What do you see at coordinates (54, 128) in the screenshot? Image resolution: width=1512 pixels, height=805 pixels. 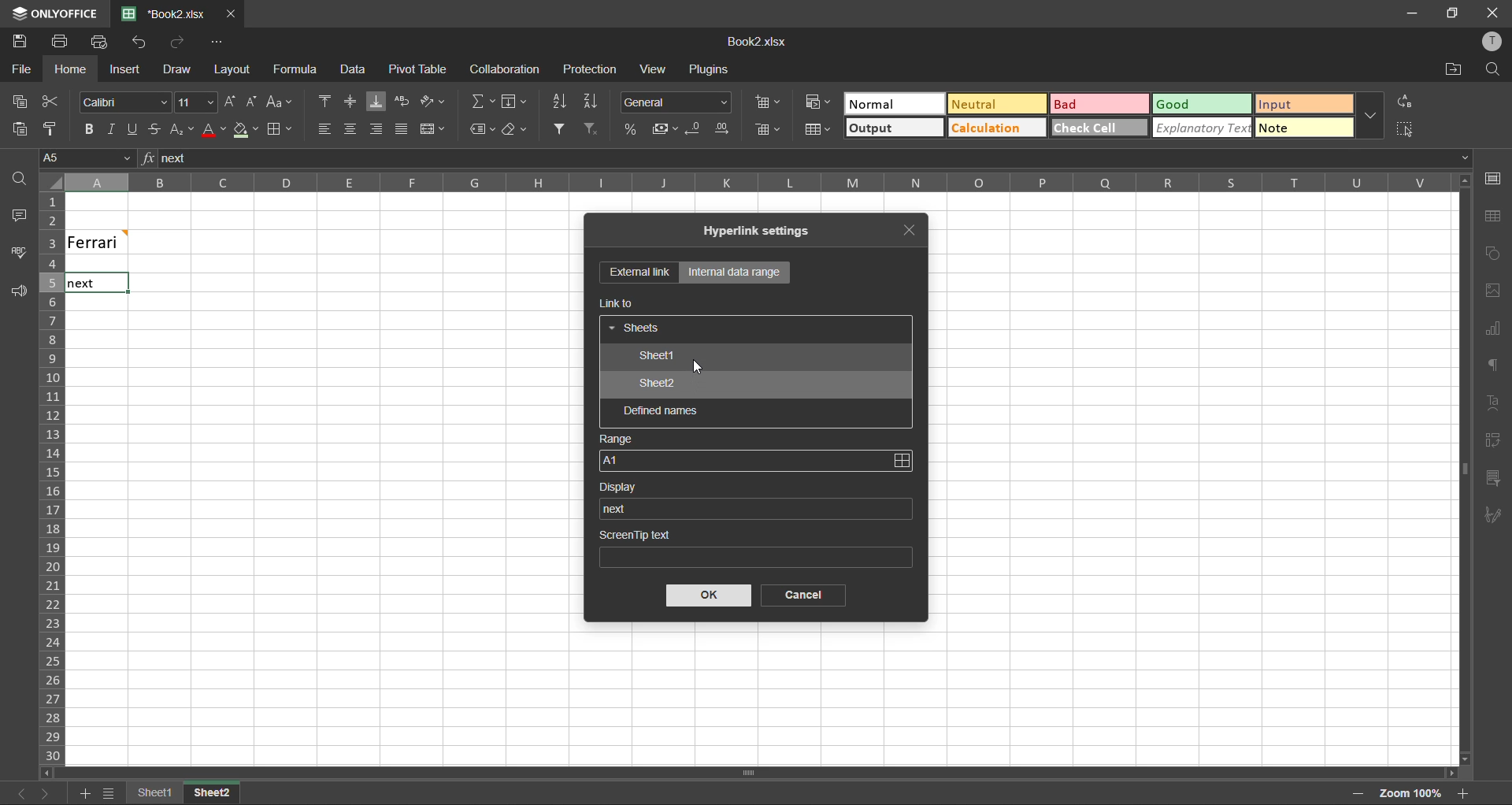 I see `copy style` at bounding box center [54, 128].